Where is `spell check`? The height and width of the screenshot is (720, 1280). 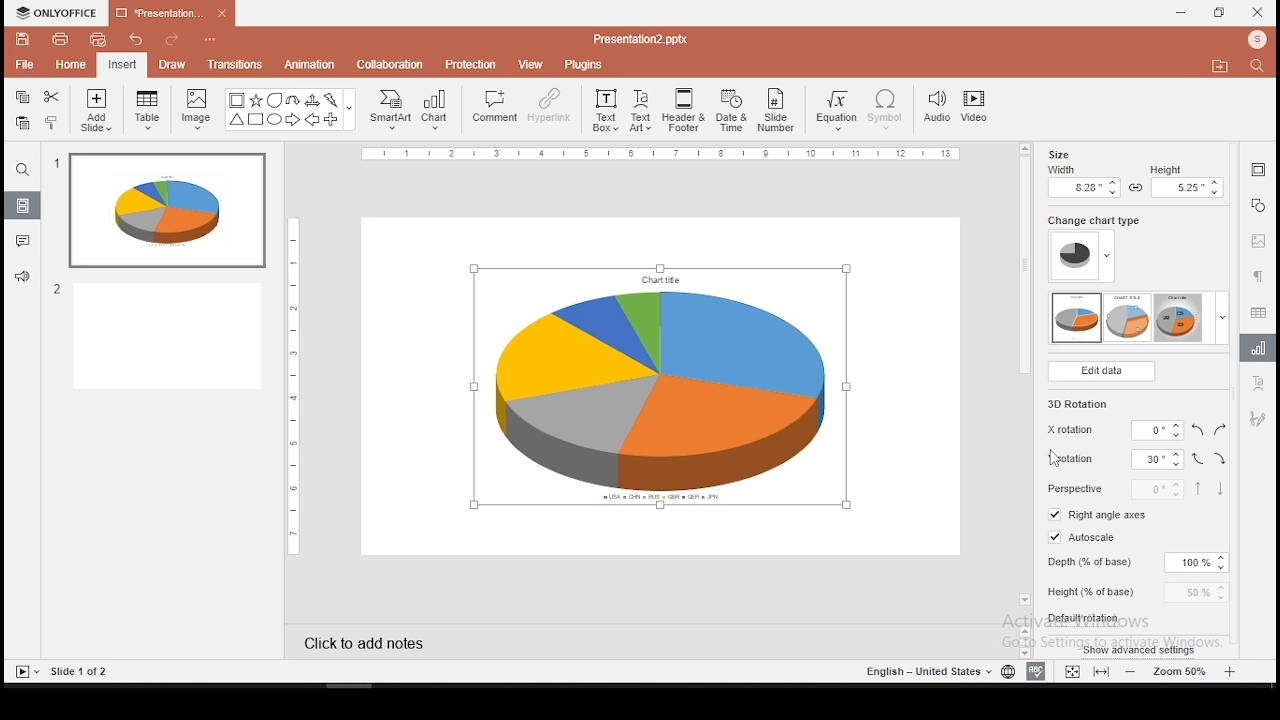 spell check is located at coordinates (1035, 671).